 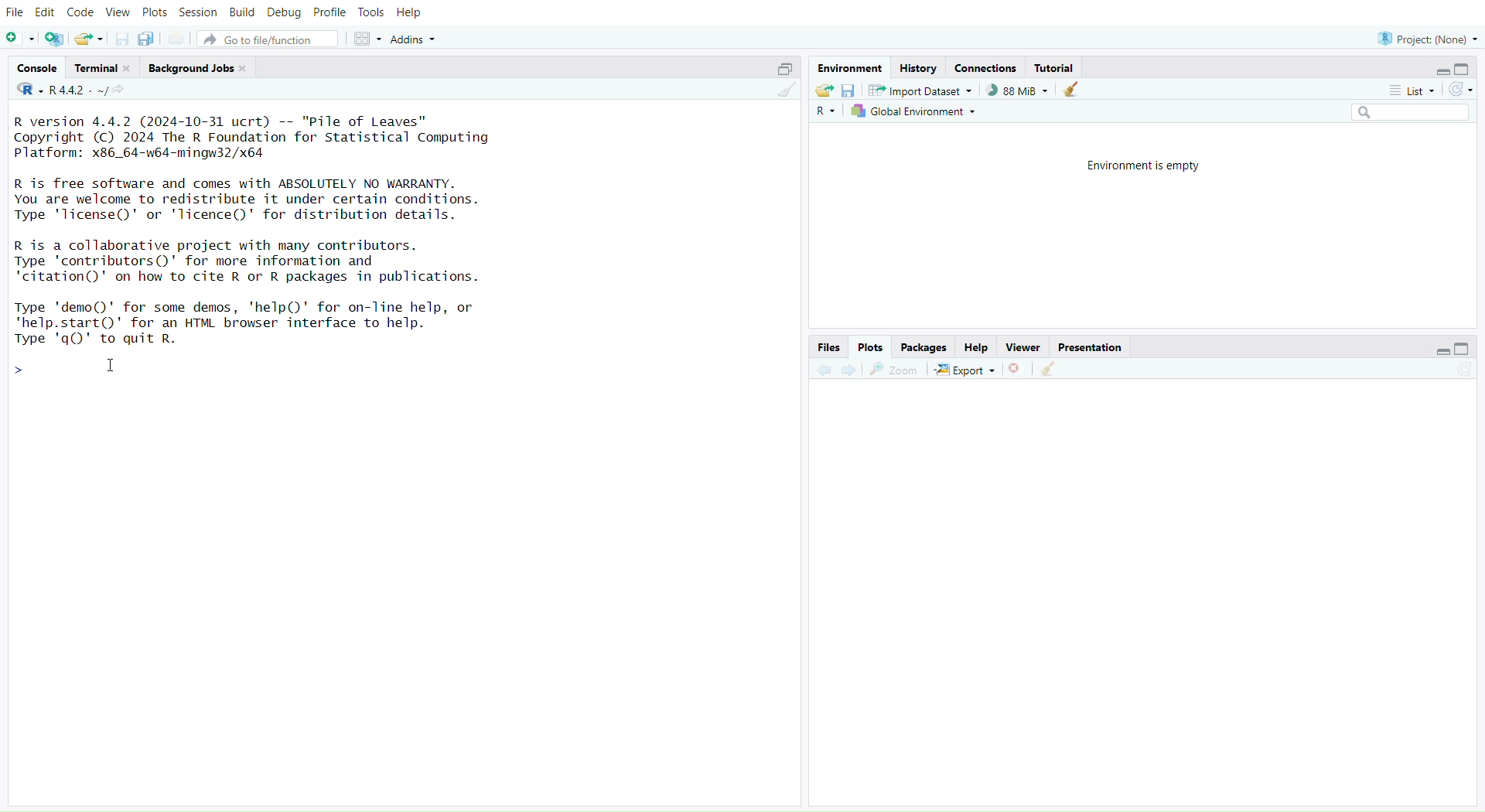 I want to click on save workspace, so click(x=850, y=90).